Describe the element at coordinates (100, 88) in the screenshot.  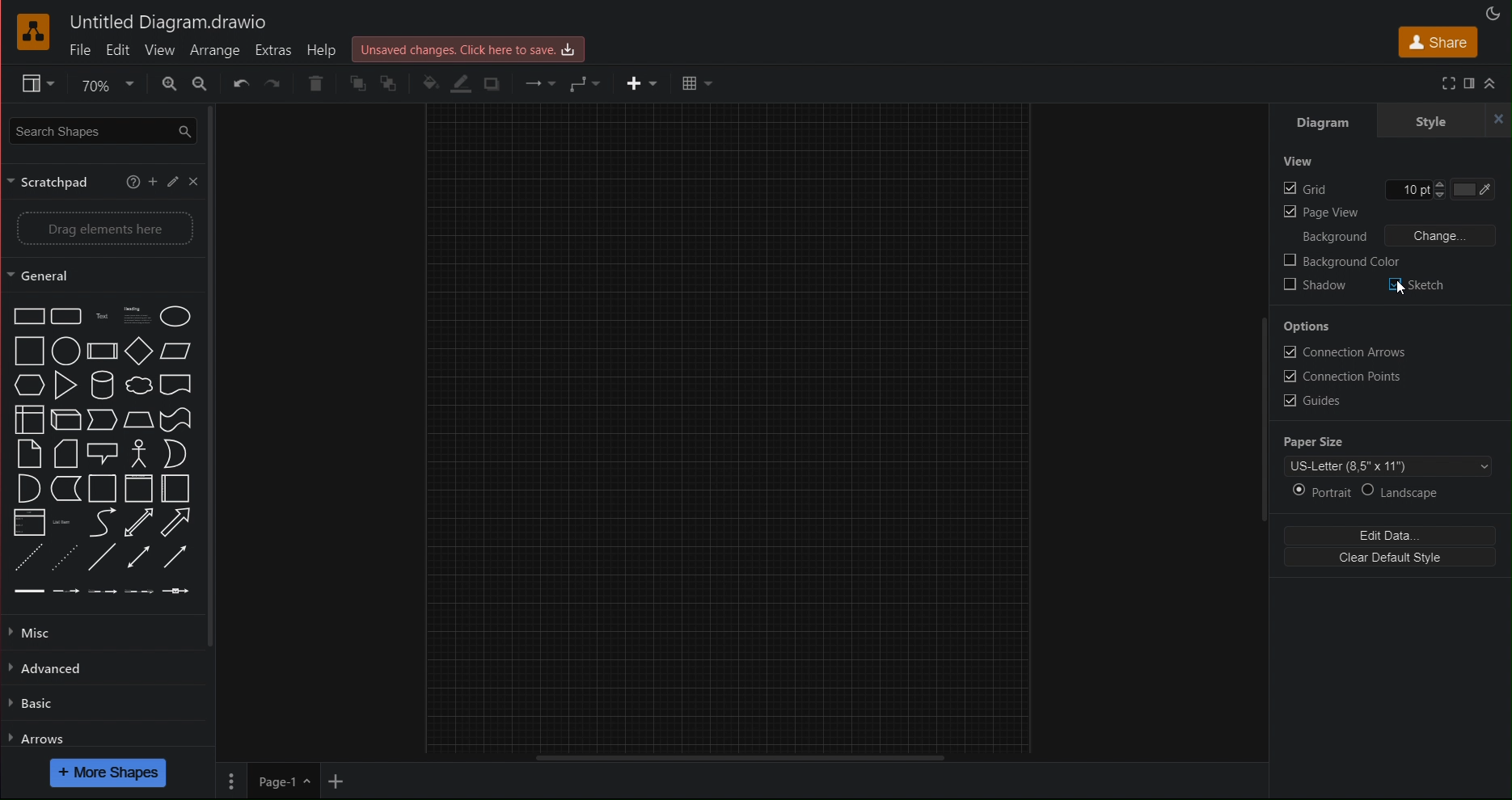
I see `Zoom` at that location.